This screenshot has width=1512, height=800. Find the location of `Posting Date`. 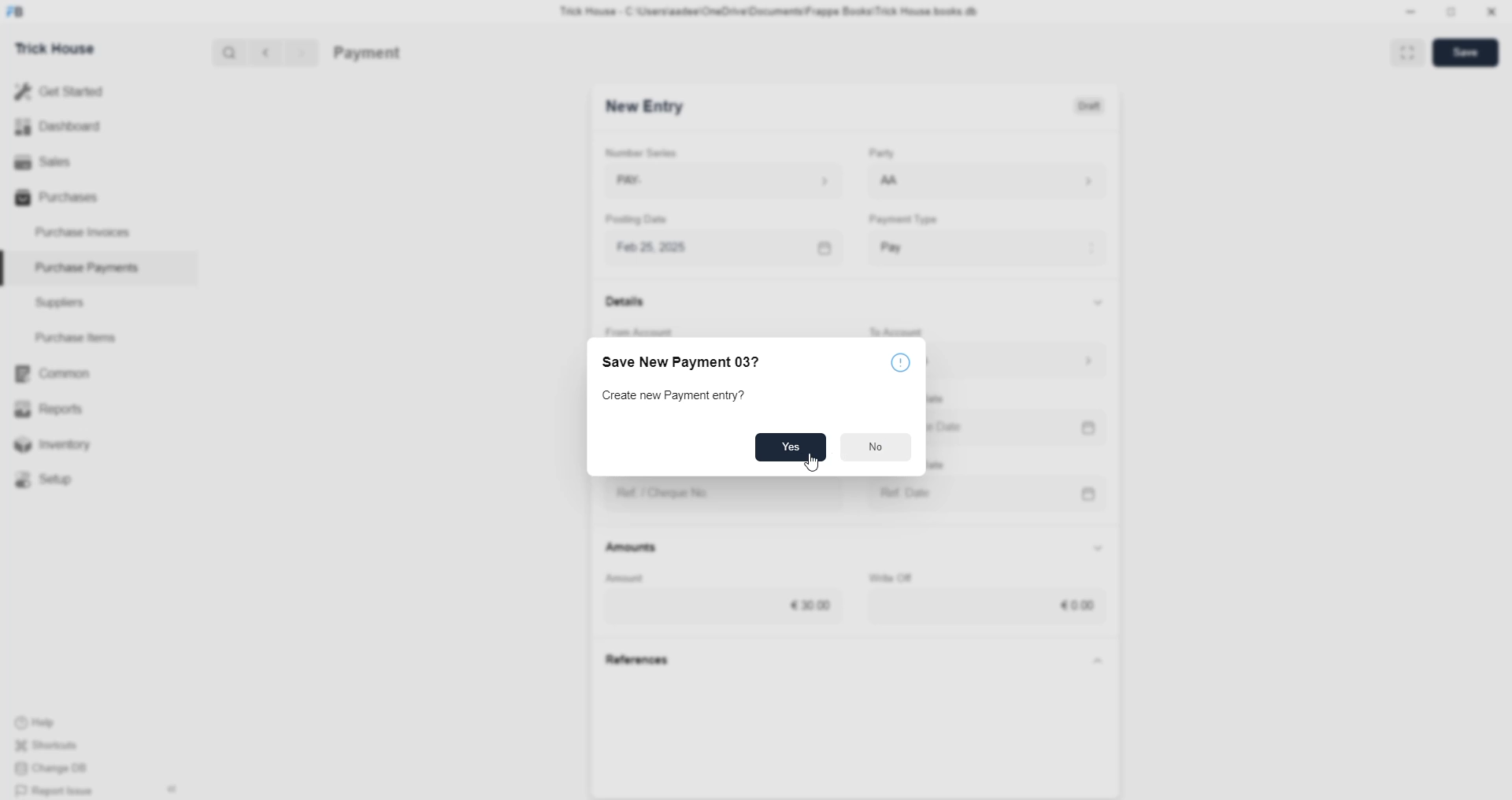

Posting Date is located at coordinates (642, 222).